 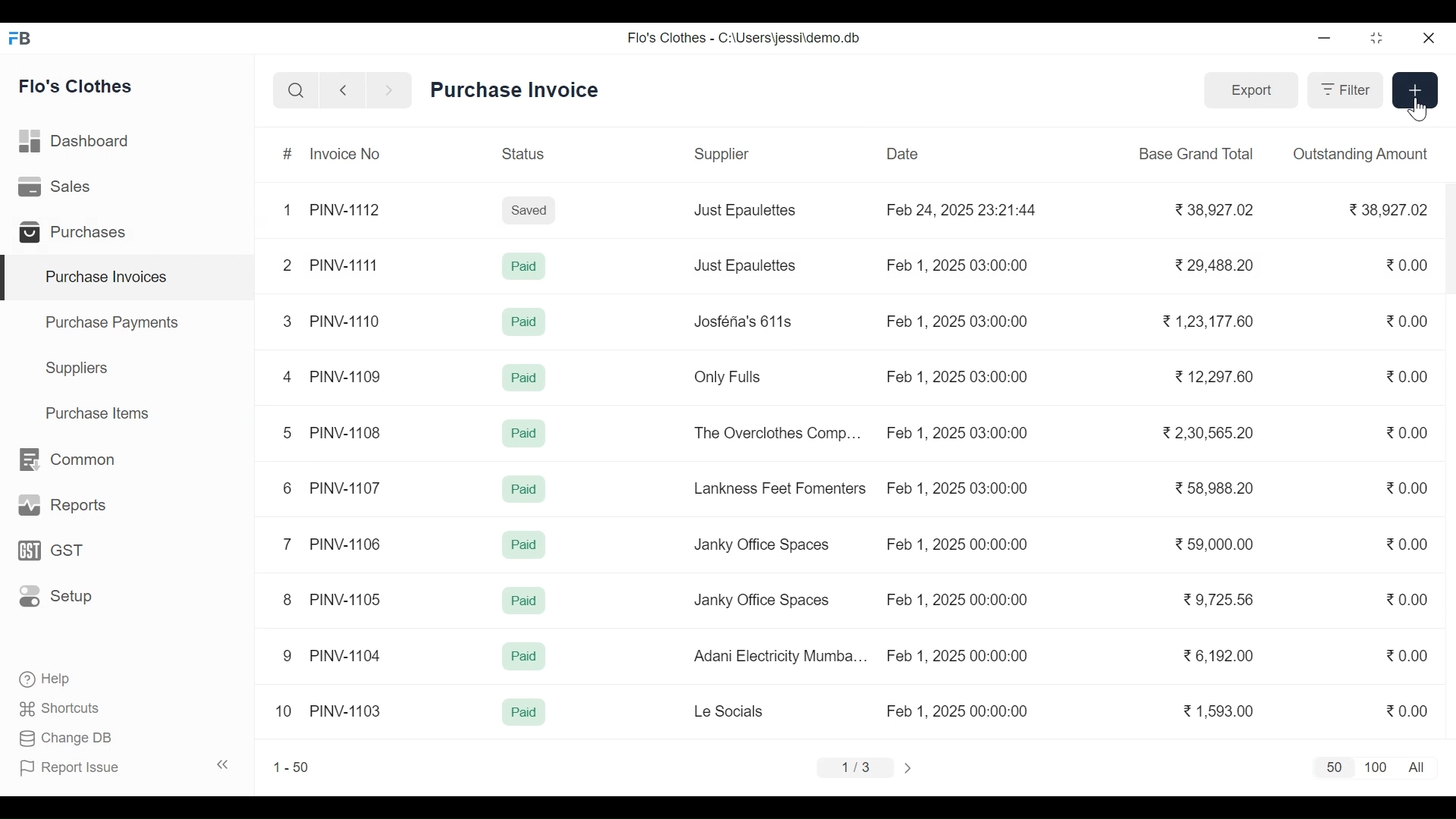 What do you see at coordinates (1389, 209) in the screenshot?
I see `38,927.02` at bounding box center [1389, 209].